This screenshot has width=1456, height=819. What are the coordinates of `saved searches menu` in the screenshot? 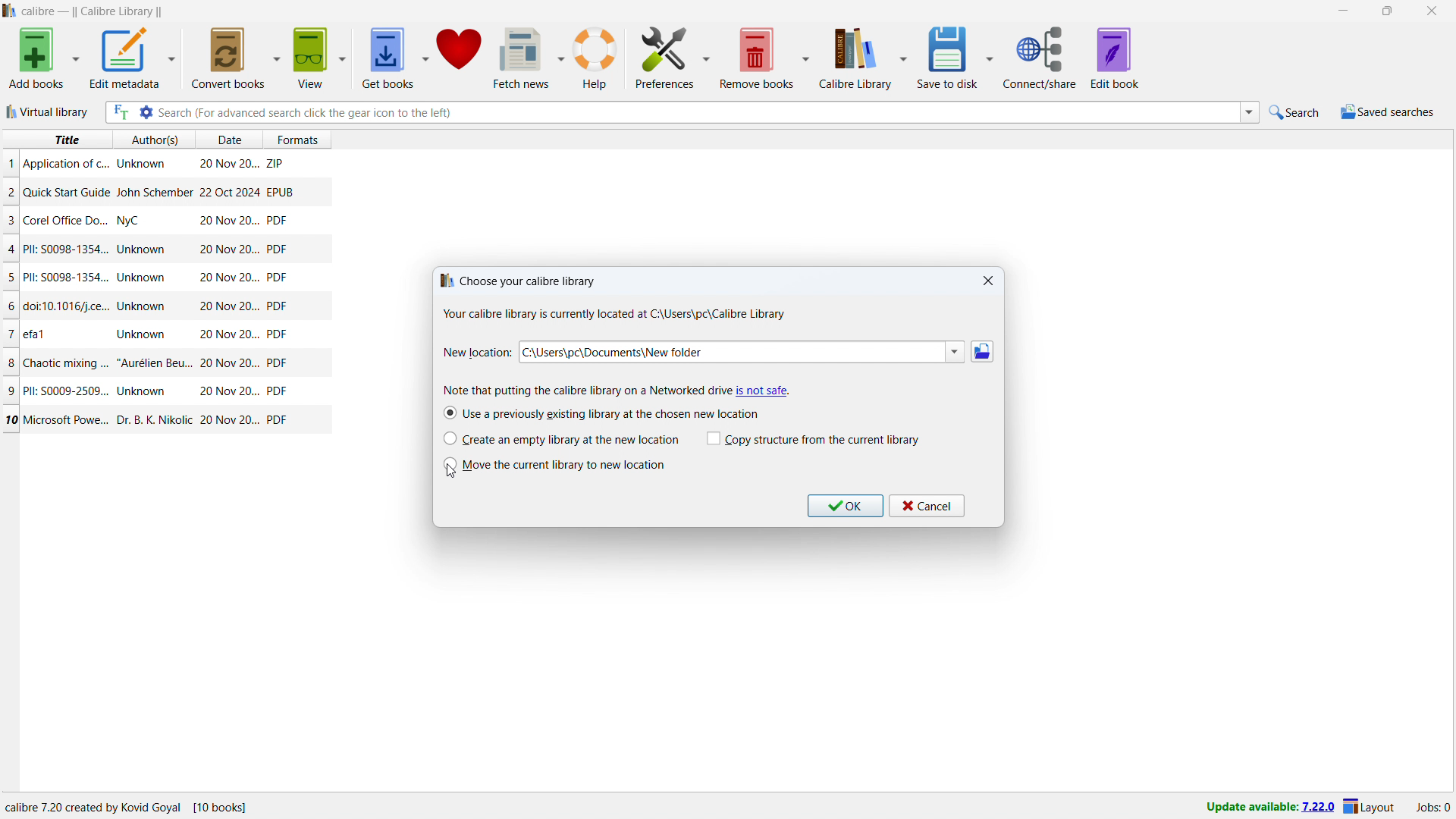 It's located at (1387, 112).